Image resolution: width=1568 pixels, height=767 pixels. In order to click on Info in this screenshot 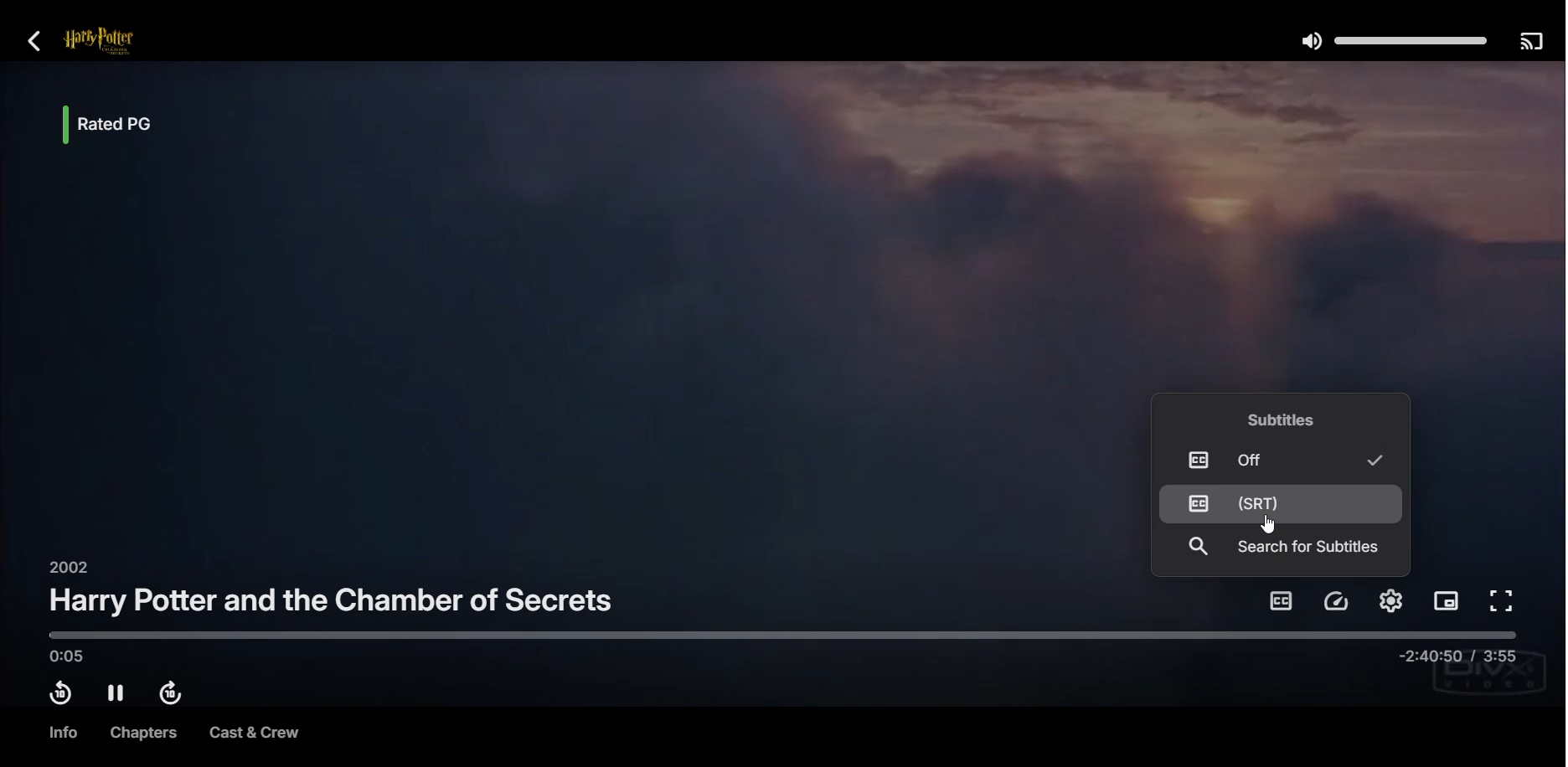, I will do `click(61, 733)`.